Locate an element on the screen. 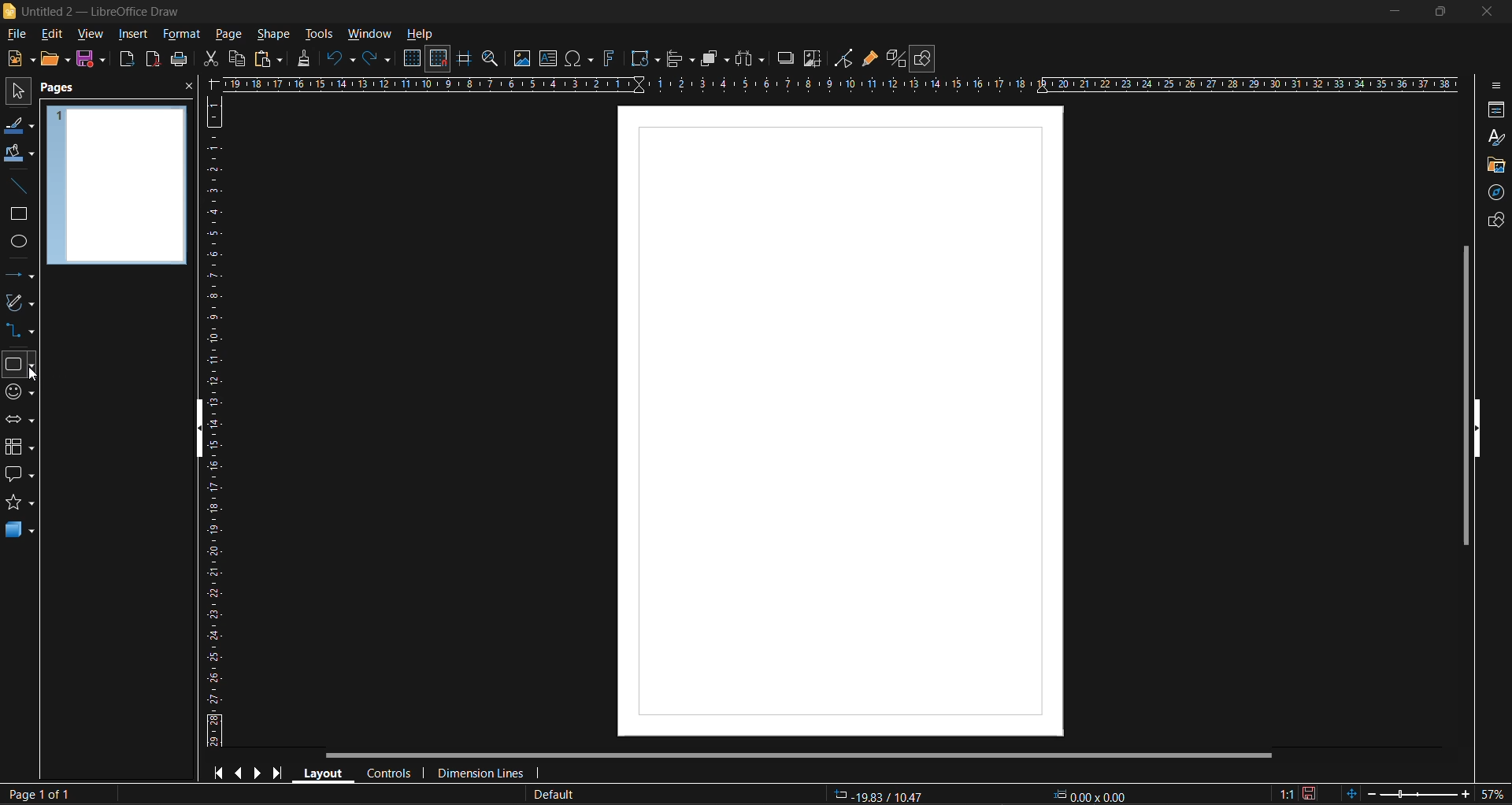 The height and width of the screenshot is (805, 1512). page is located at coordinates (229, 33).